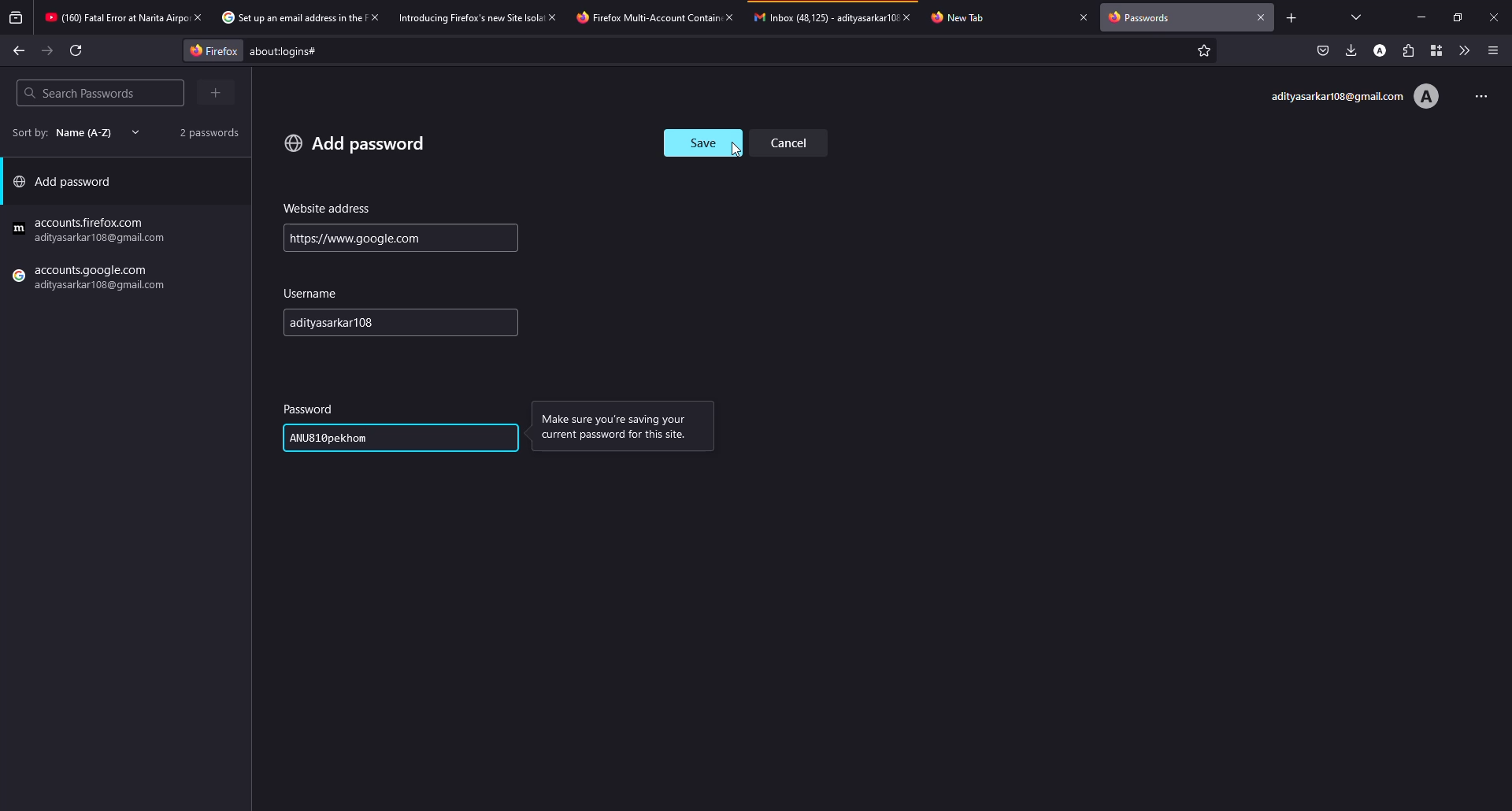 The height and width of the screenshot is (811, 1512). Describe the element at coordinates (1494, 17) in the screenshot. I see `close` at that location.